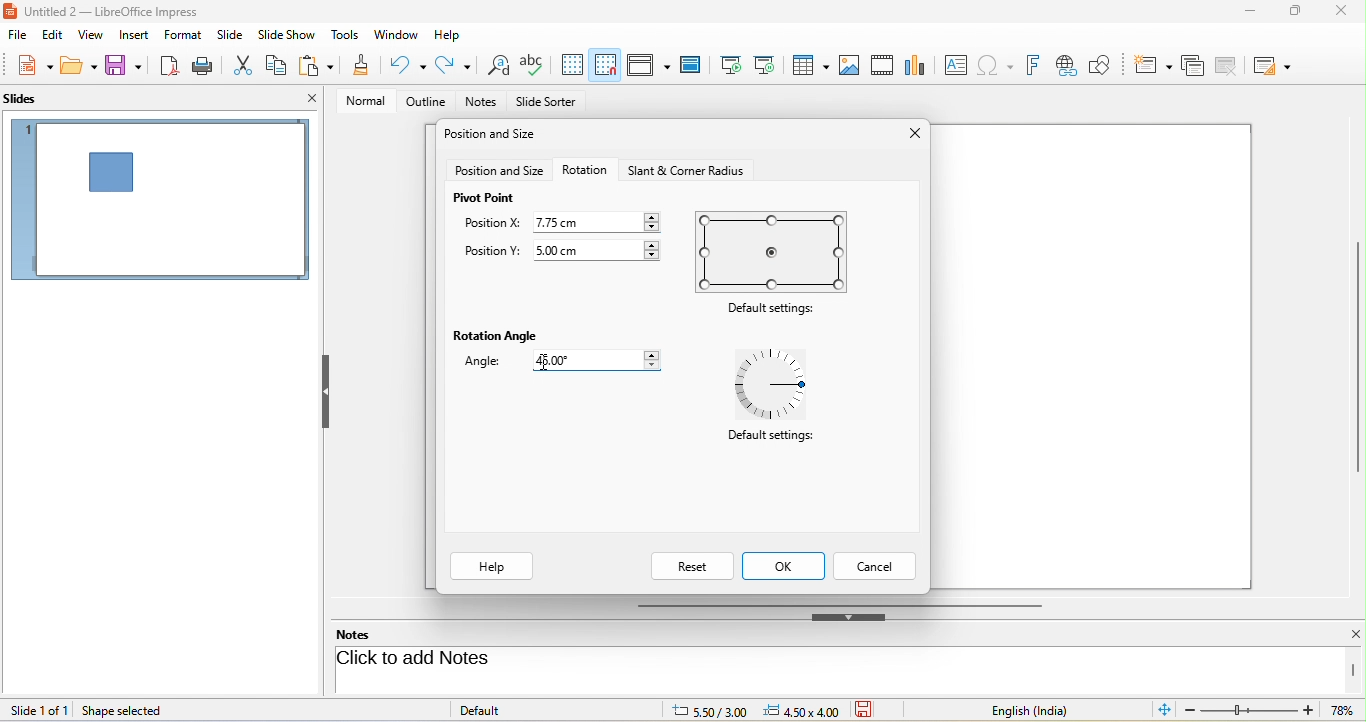  Describe the element at coordinates (88, 34) in the screenshot. I see `view` at that location.